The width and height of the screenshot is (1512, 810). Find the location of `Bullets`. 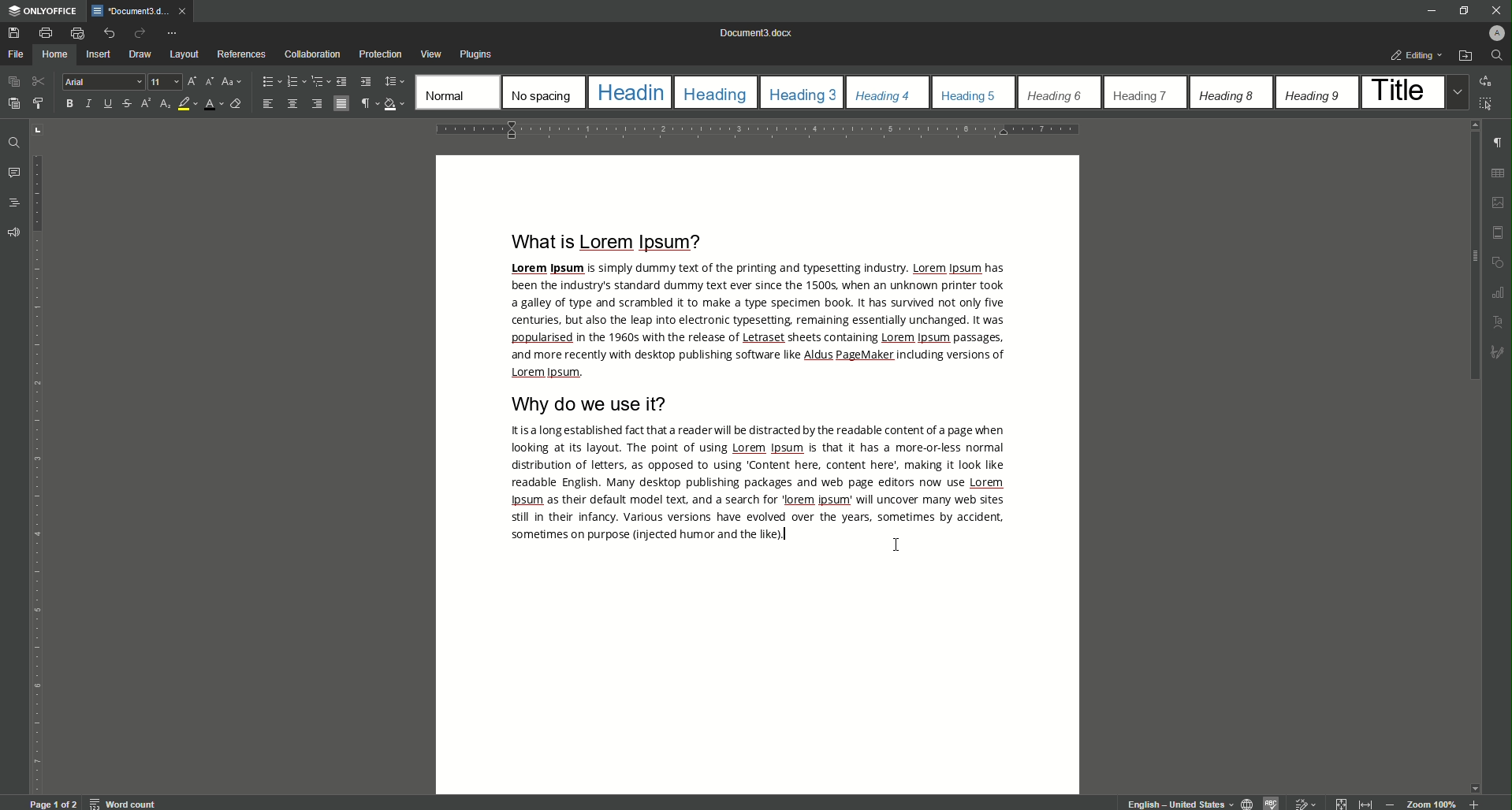

Bullets is located at coordinates (267, 82).